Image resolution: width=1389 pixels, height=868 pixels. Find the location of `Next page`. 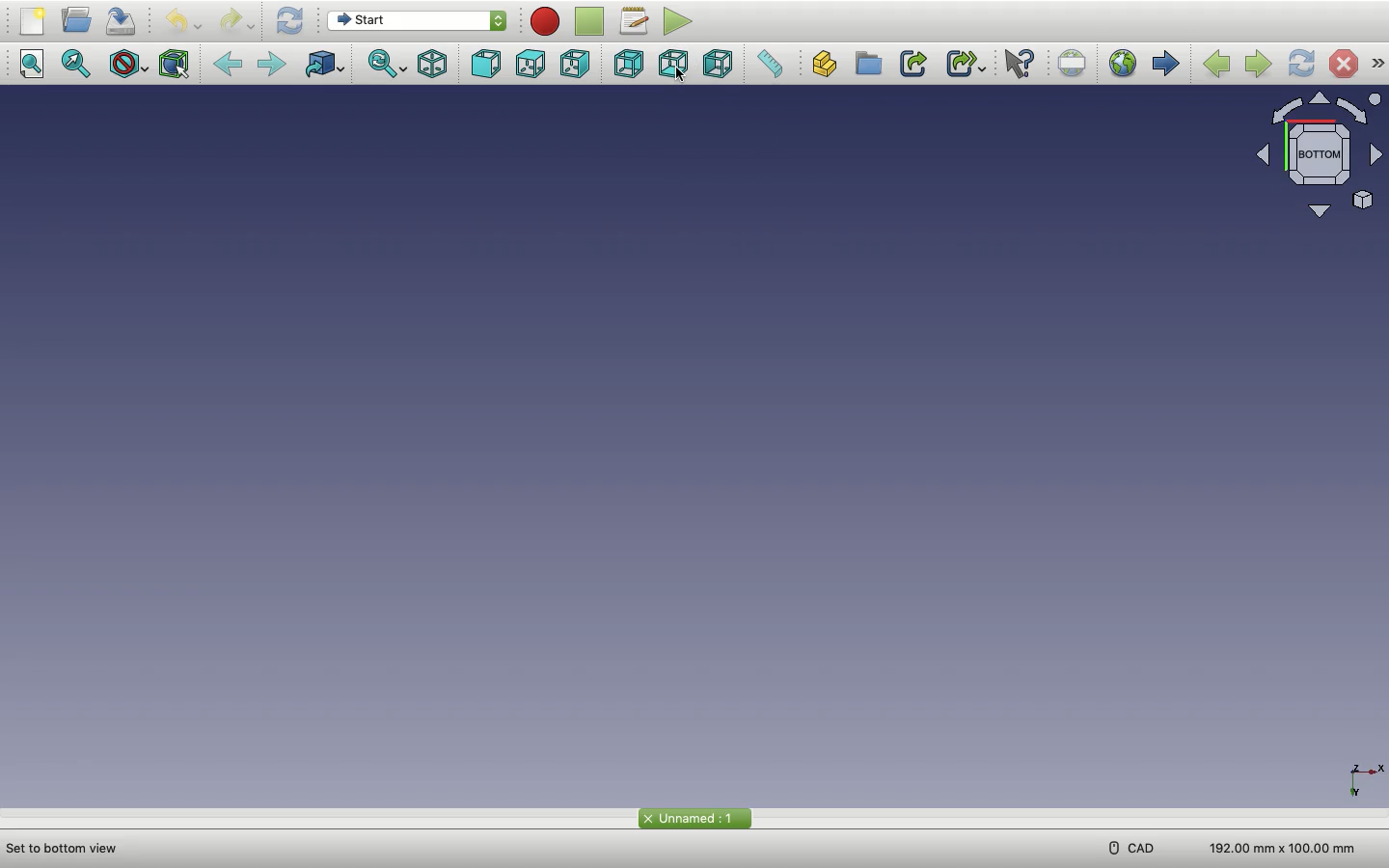

Next page is located at coordinates (1258, 62).